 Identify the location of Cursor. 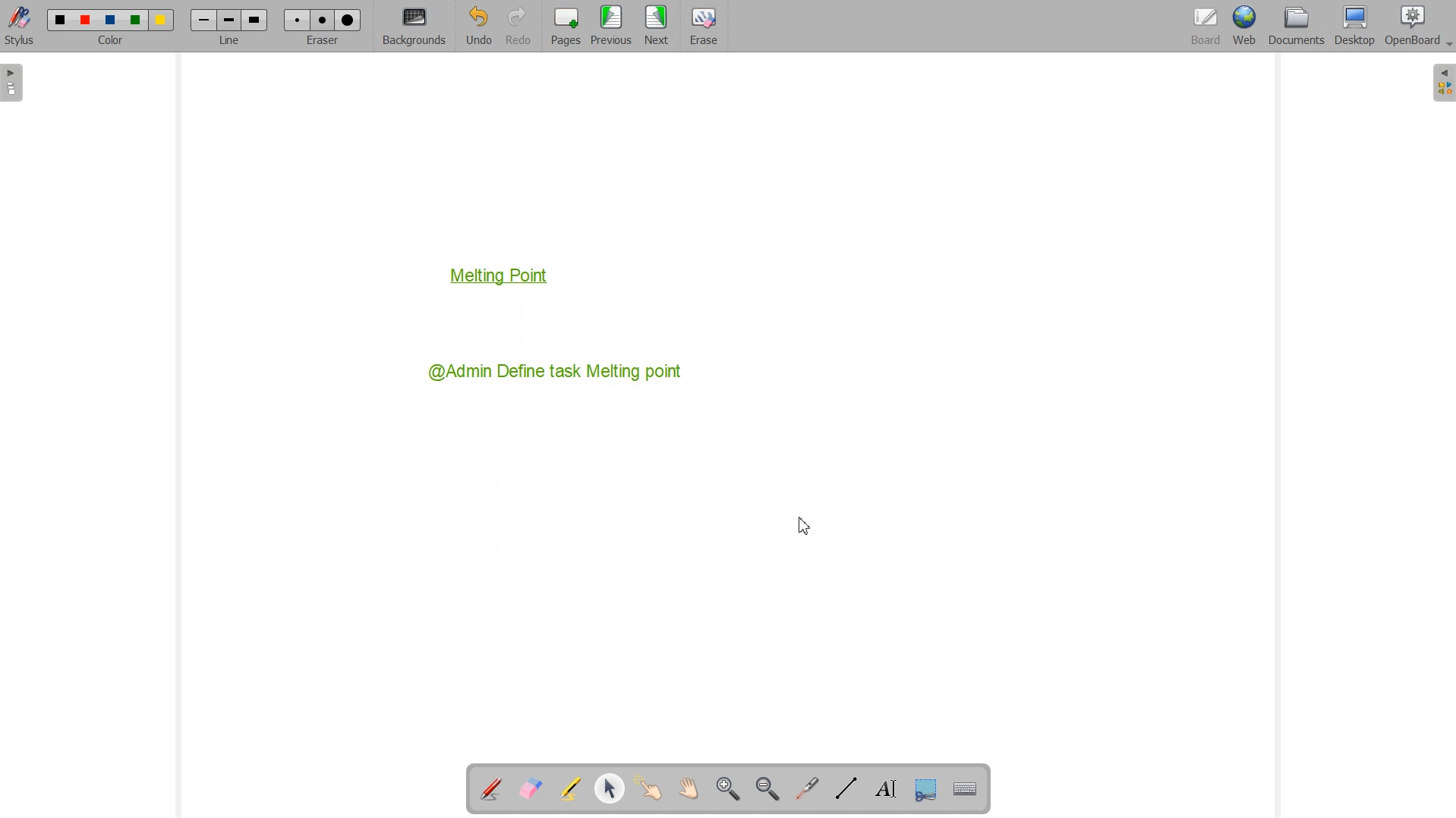
(803, 526).